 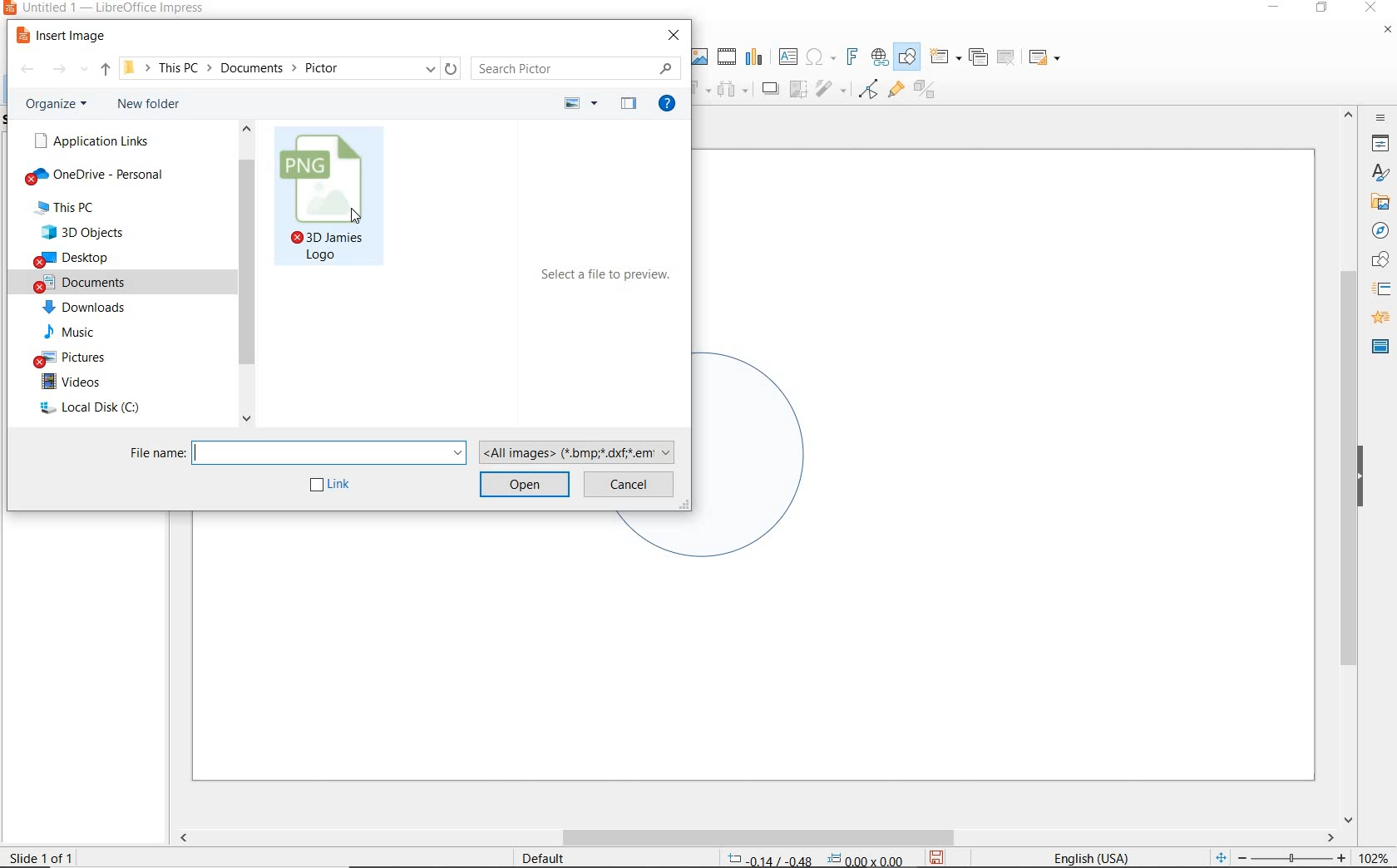 What do you see at coordinates (289, 67) in the screenshot?
I see `path` at bounding box center [289, 67].